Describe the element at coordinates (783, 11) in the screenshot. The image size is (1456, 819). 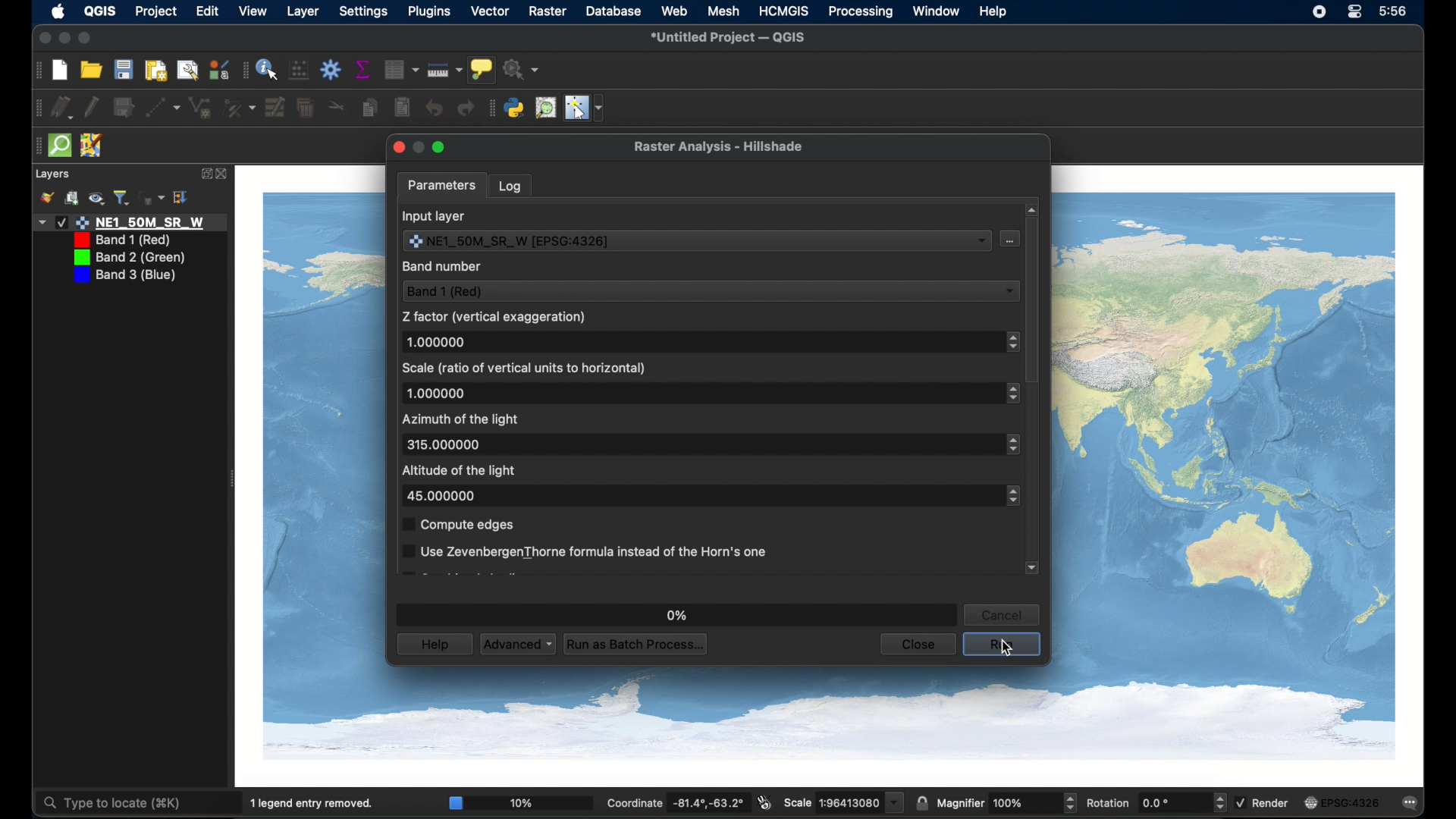
I see `HCMGIS` at that location.